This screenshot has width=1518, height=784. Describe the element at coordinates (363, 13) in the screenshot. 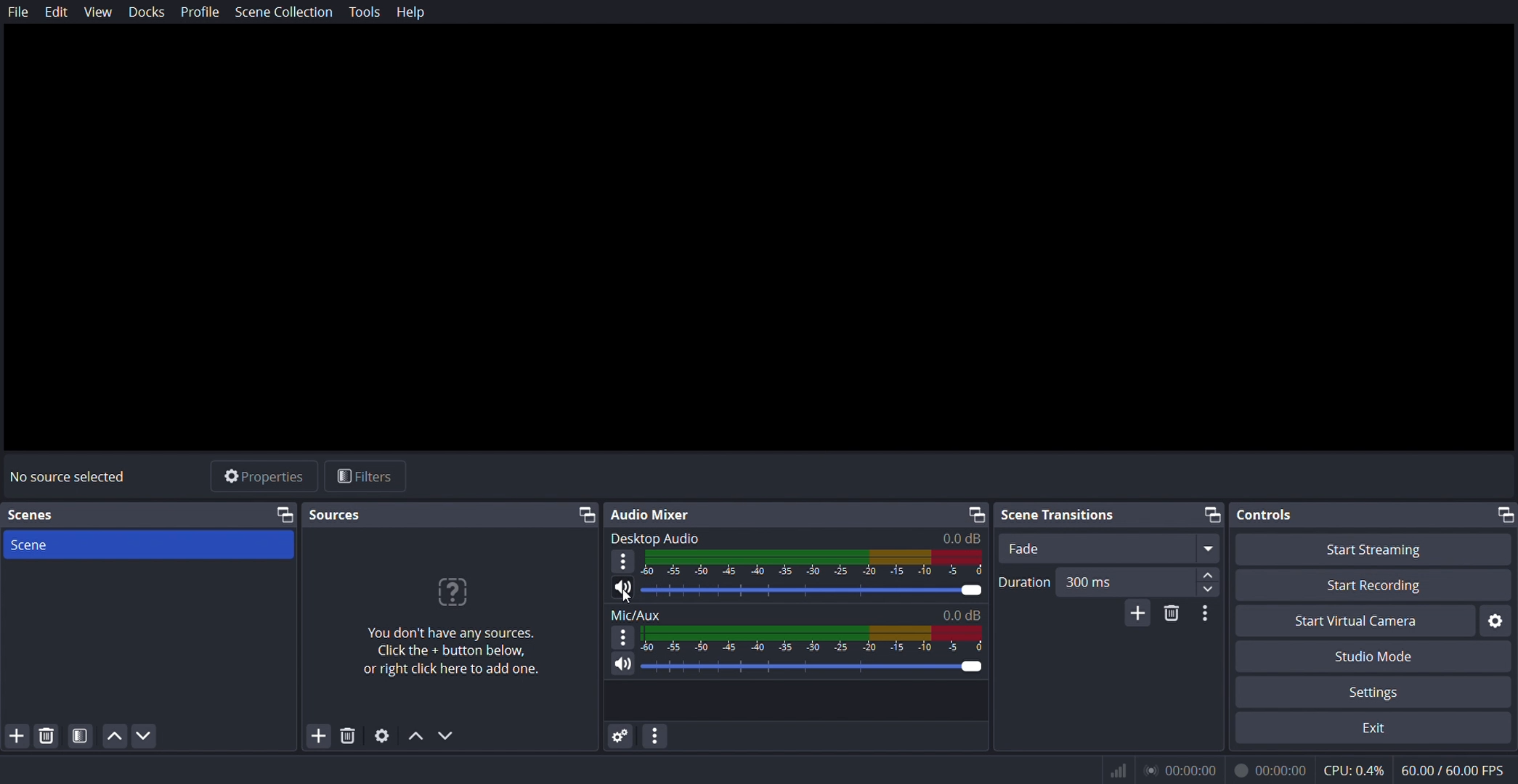

I see `tools` at that location.